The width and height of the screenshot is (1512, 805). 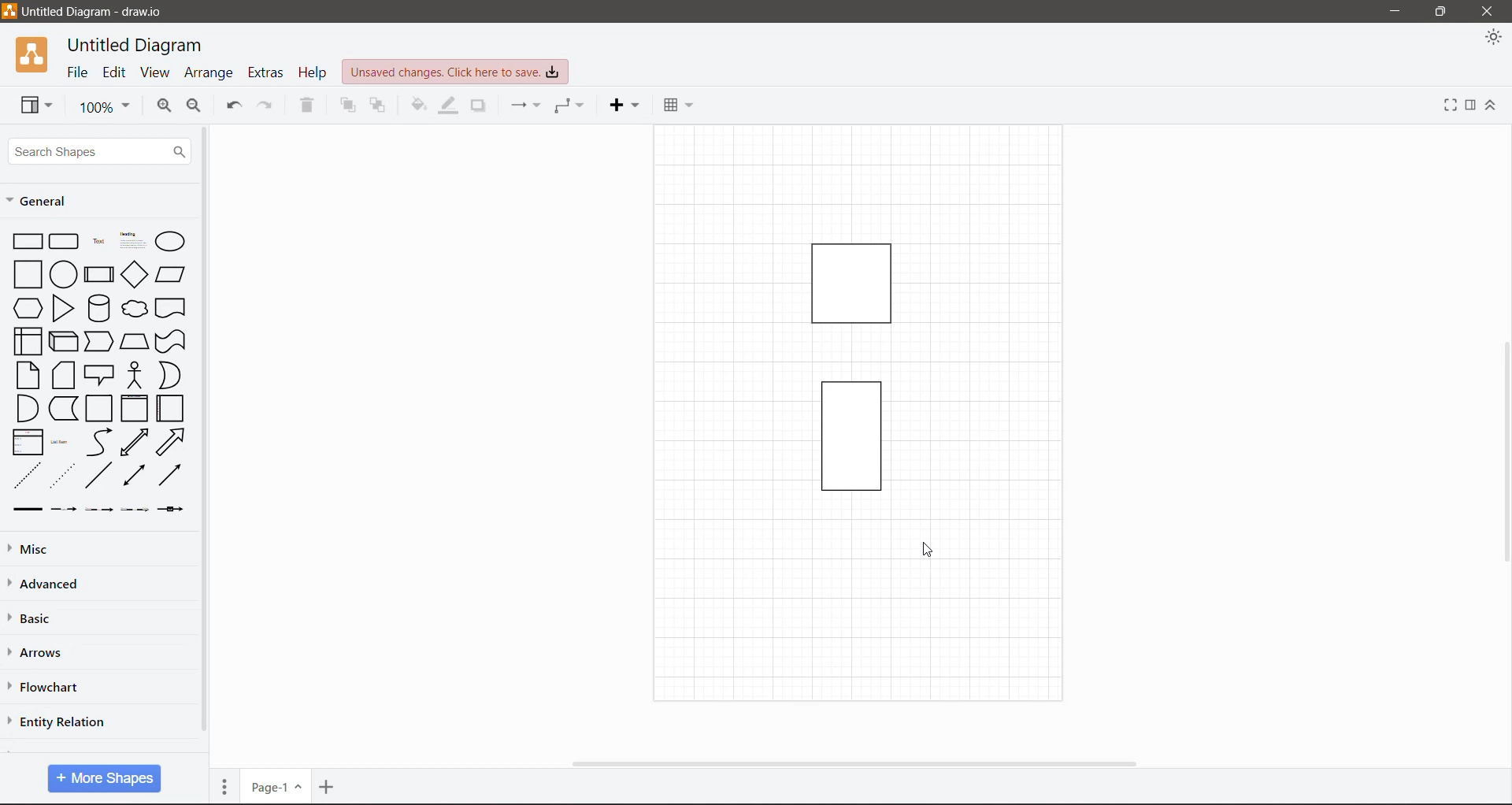 I want to click on Vertical Scroll Bar, so click(x=205, y=436).